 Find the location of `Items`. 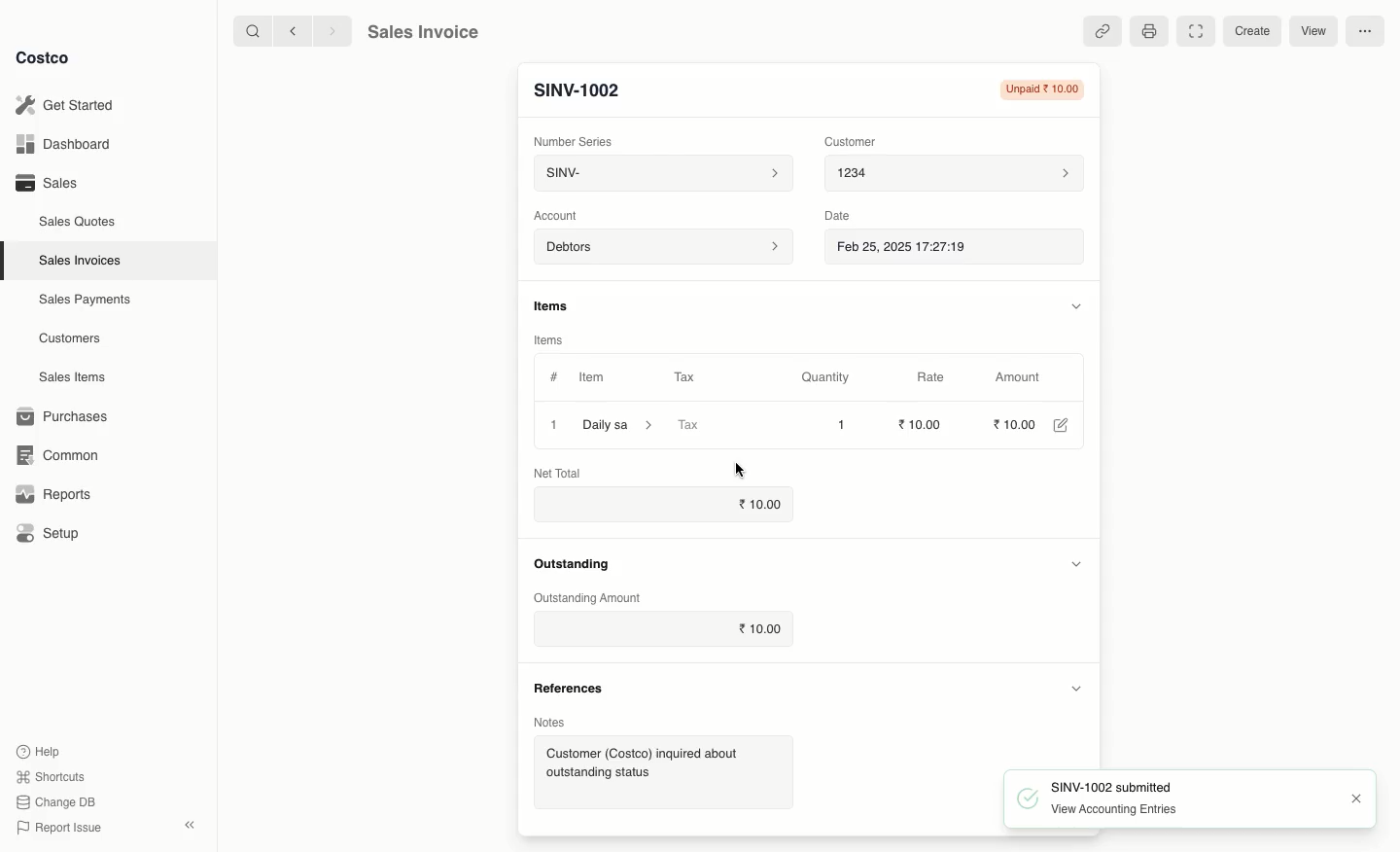

Items is located at coordinates (549, 337).